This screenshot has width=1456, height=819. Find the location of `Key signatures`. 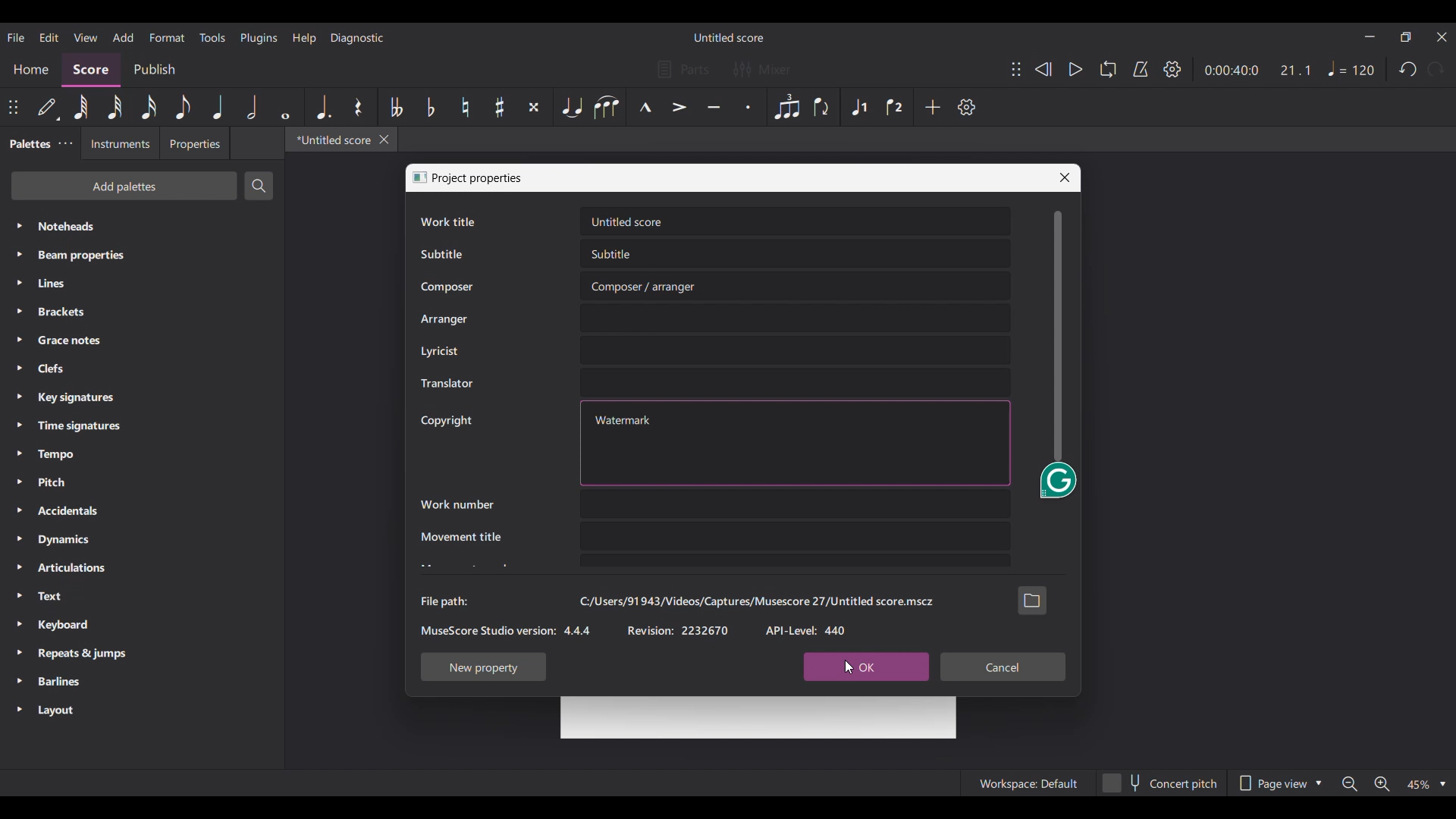

Key signatures is located at coordinates (143, 397).